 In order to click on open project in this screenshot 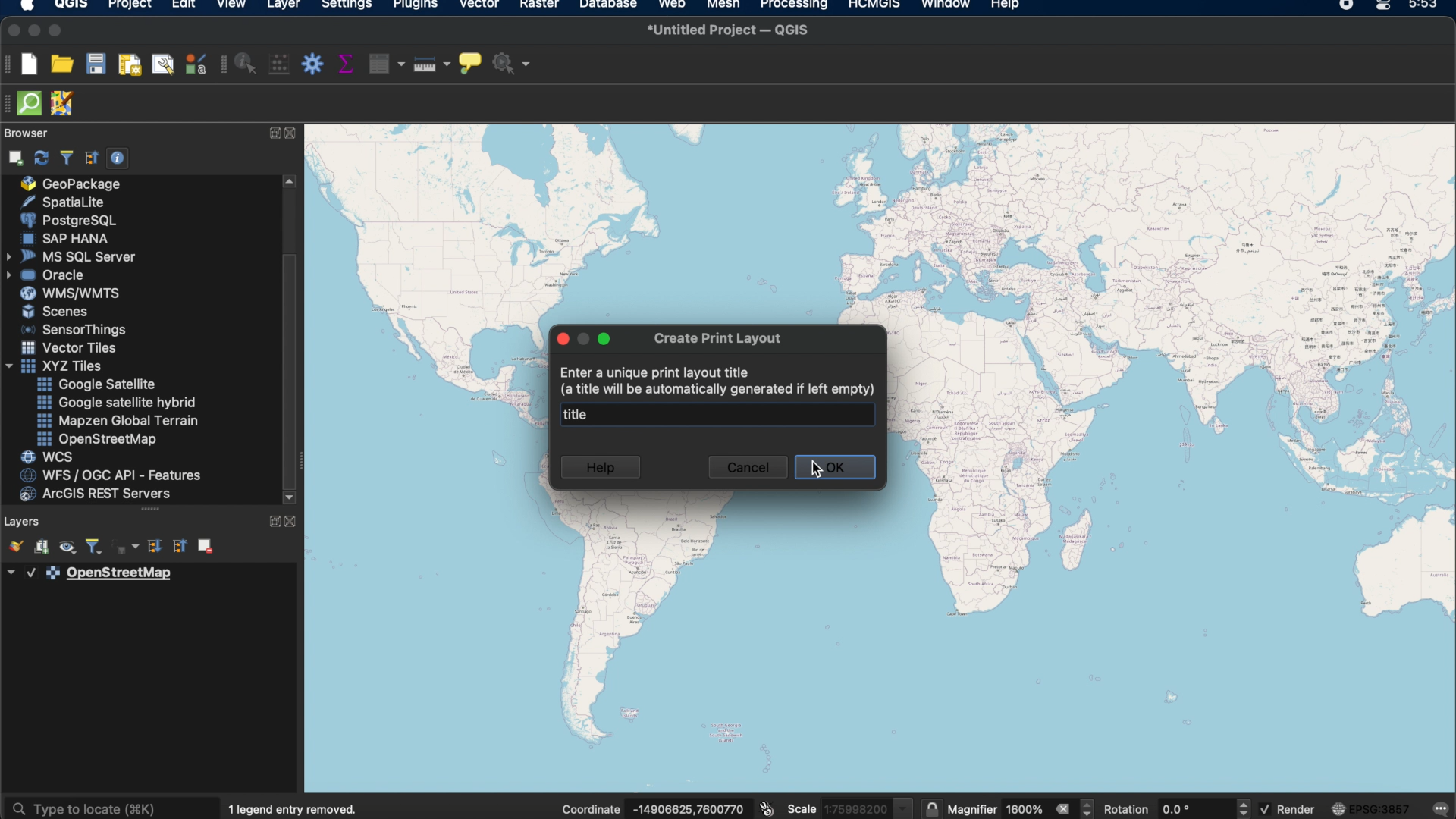, I will do `click(60, 65)`.